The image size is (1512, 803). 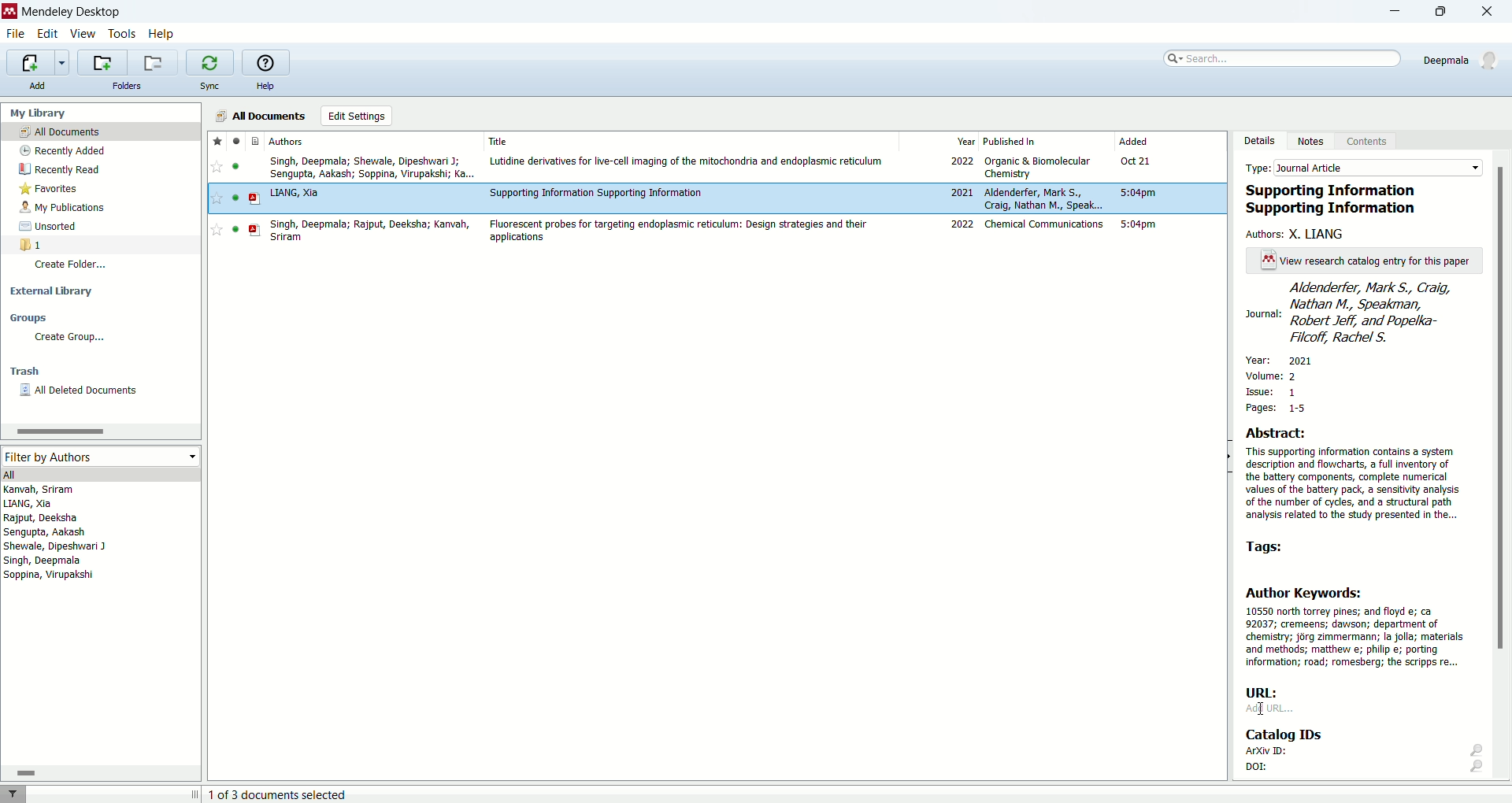 I want to click on sync, so click(x=213, y=86).